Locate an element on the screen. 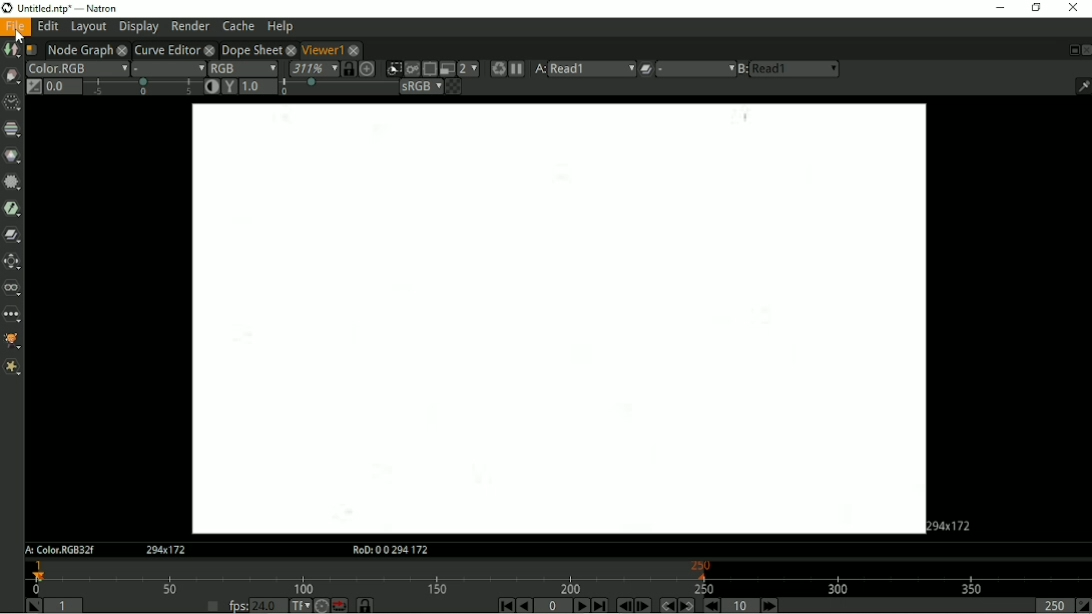  Next keyframe is located at coordinates (687, 605).